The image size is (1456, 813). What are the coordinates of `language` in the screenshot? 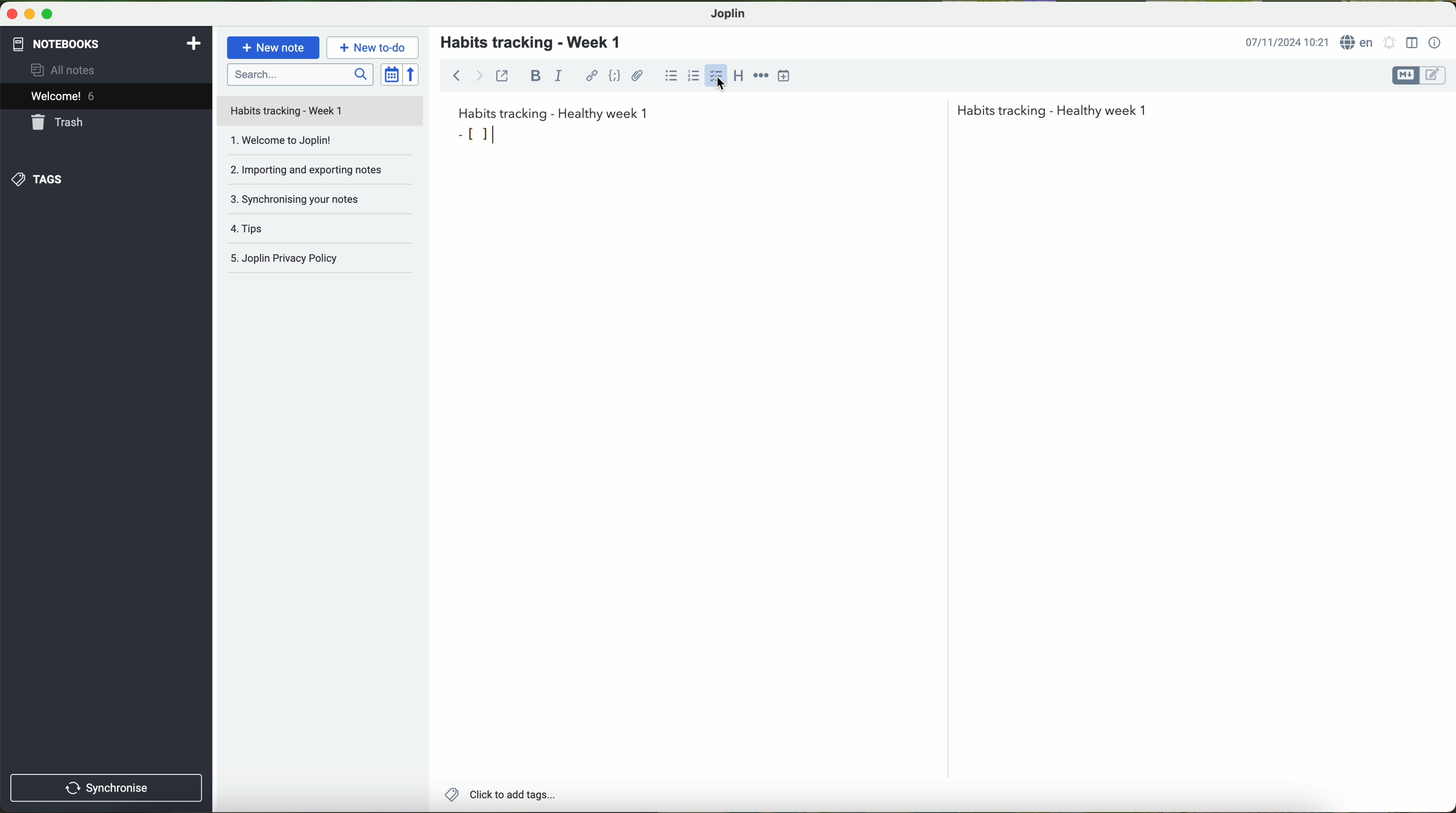 It's located at (1358, 42).